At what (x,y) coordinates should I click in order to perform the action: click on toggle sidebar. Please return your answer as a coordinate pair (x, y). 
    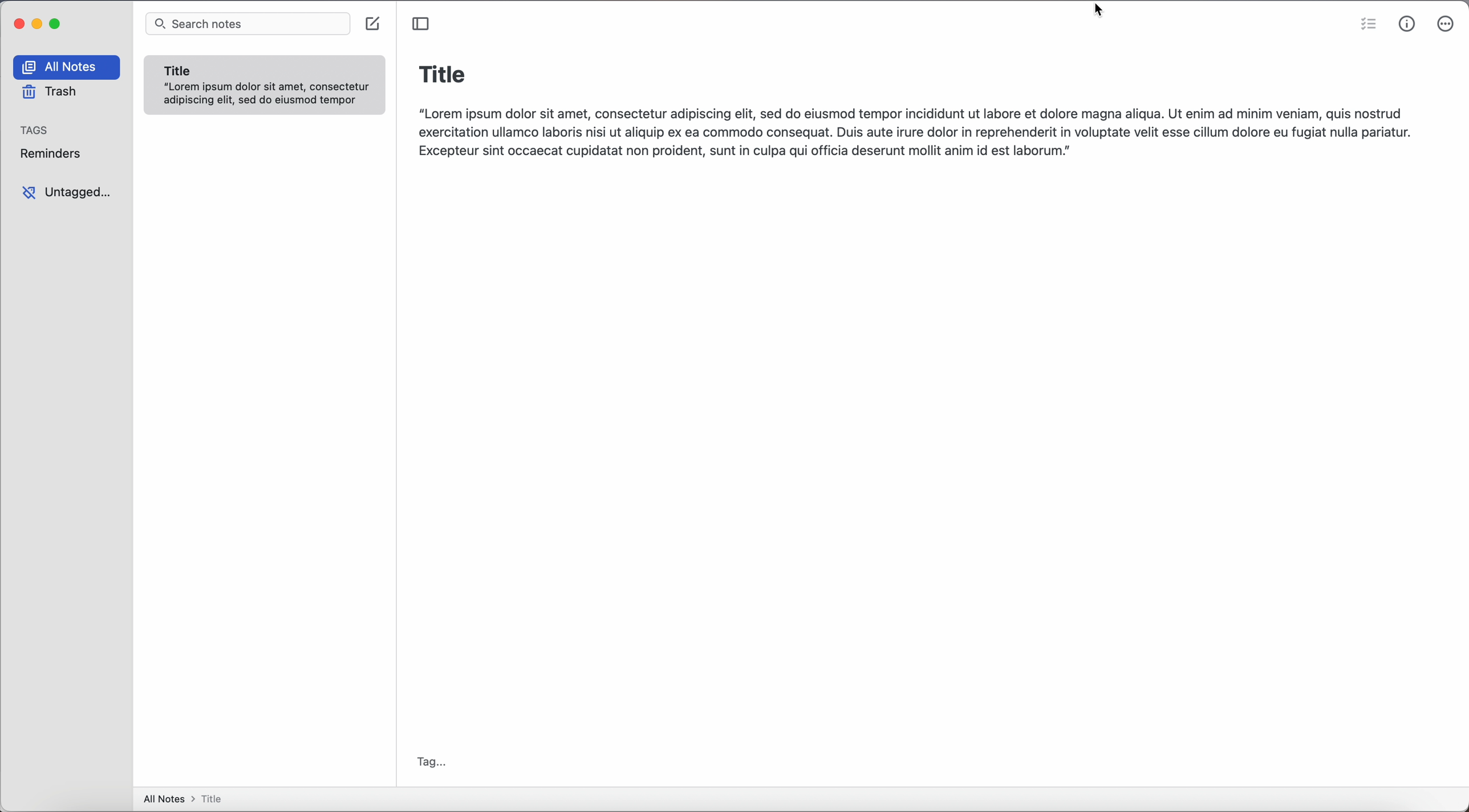
    Looking at the image, I should click on (420, 23).